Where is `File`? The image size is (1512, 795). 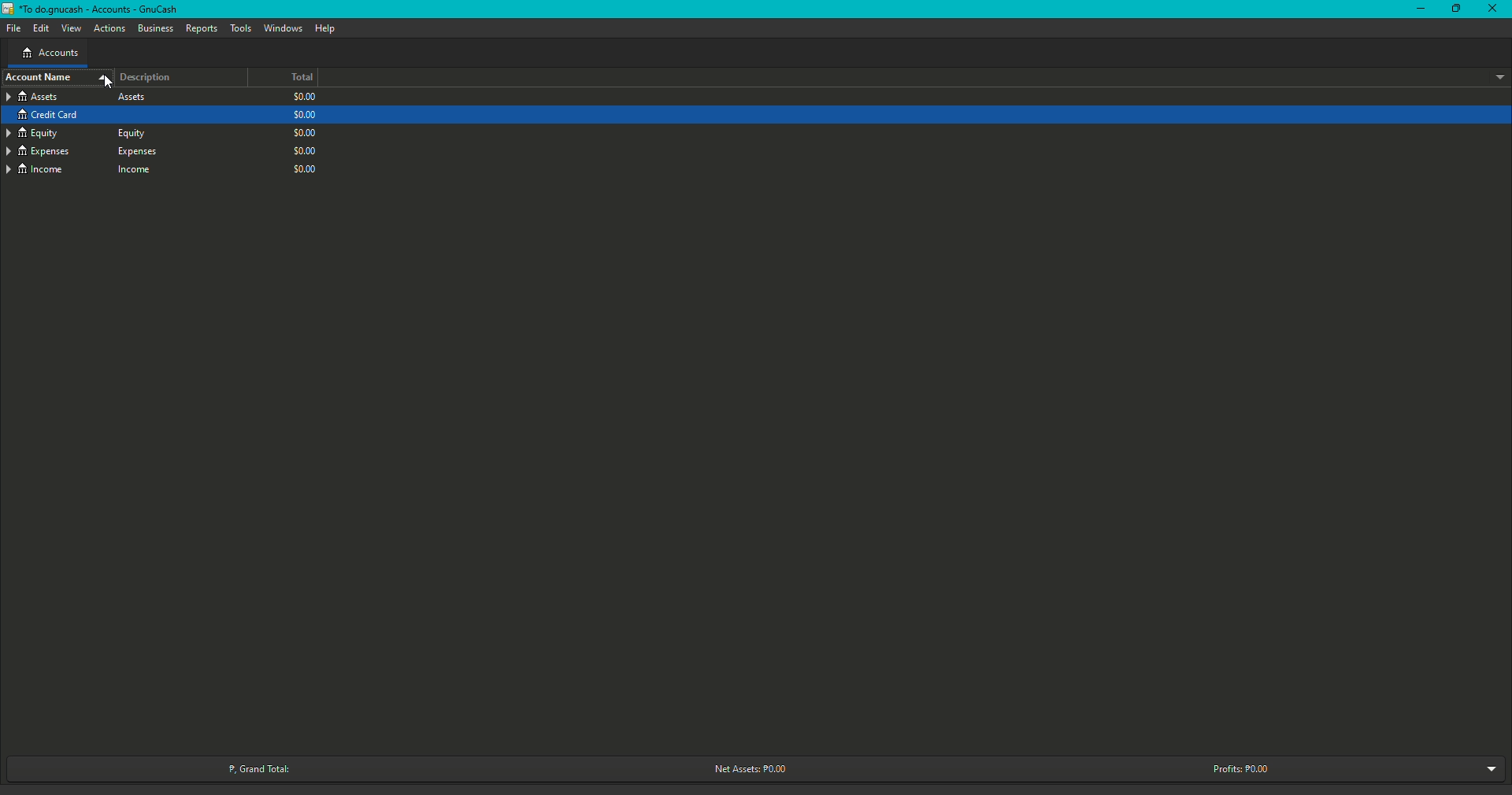 File is located at coordinates (11, 29).